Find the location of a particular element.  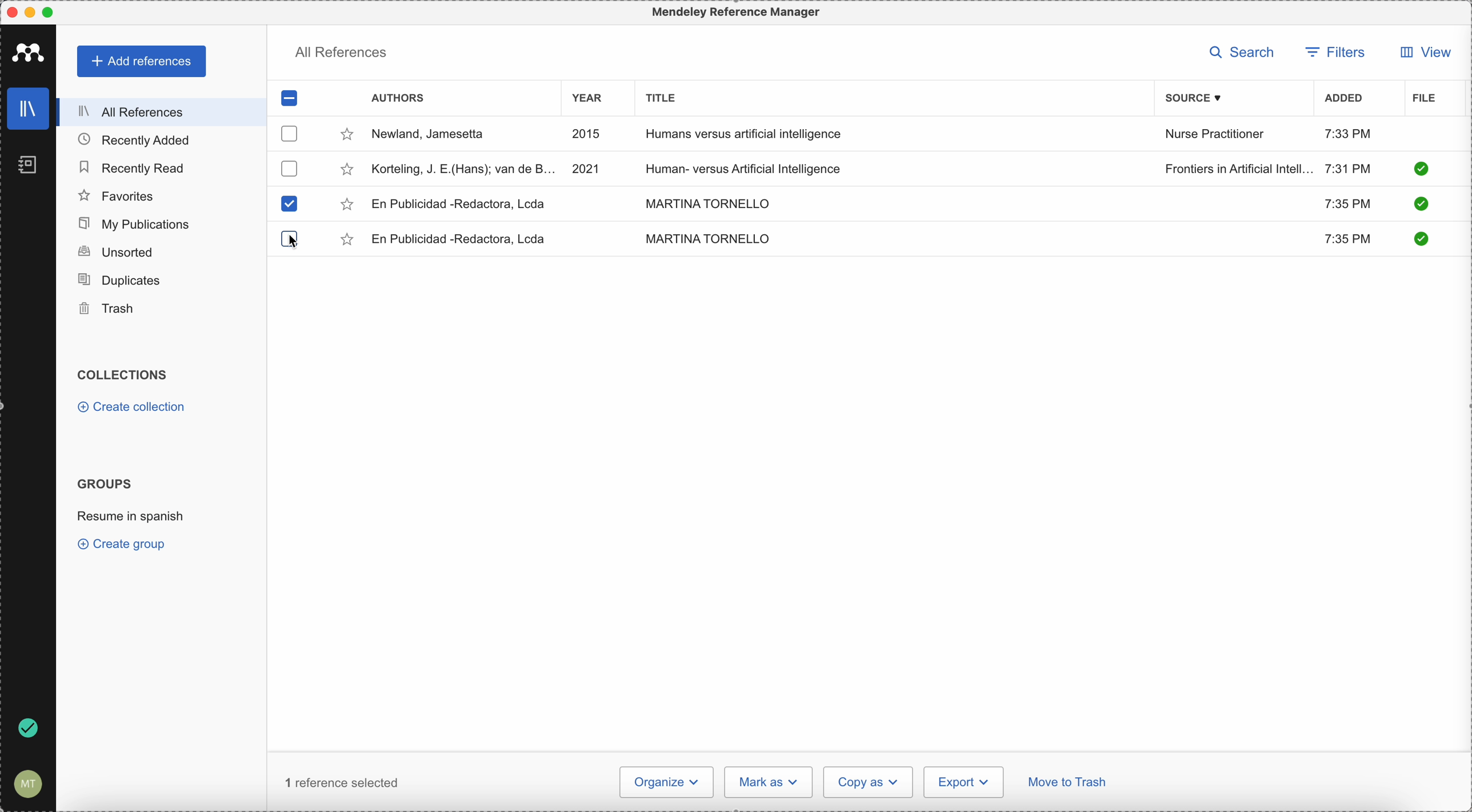

Nurse Practitioner is located at coordinates (1217, 134).